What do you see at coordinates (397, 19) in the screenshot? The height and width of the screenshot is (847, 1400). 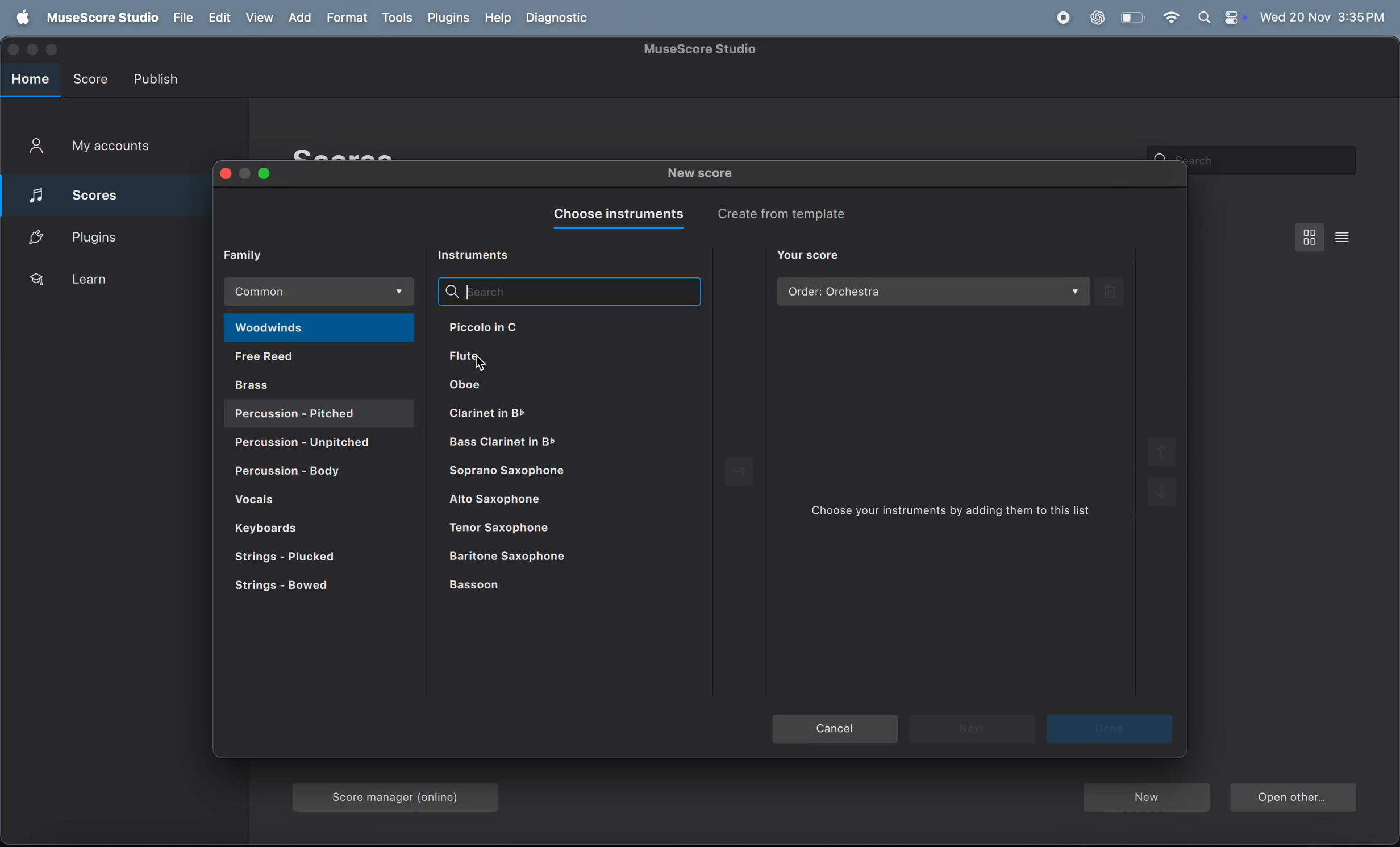 I see `tools` at bounding box center [397, 19].